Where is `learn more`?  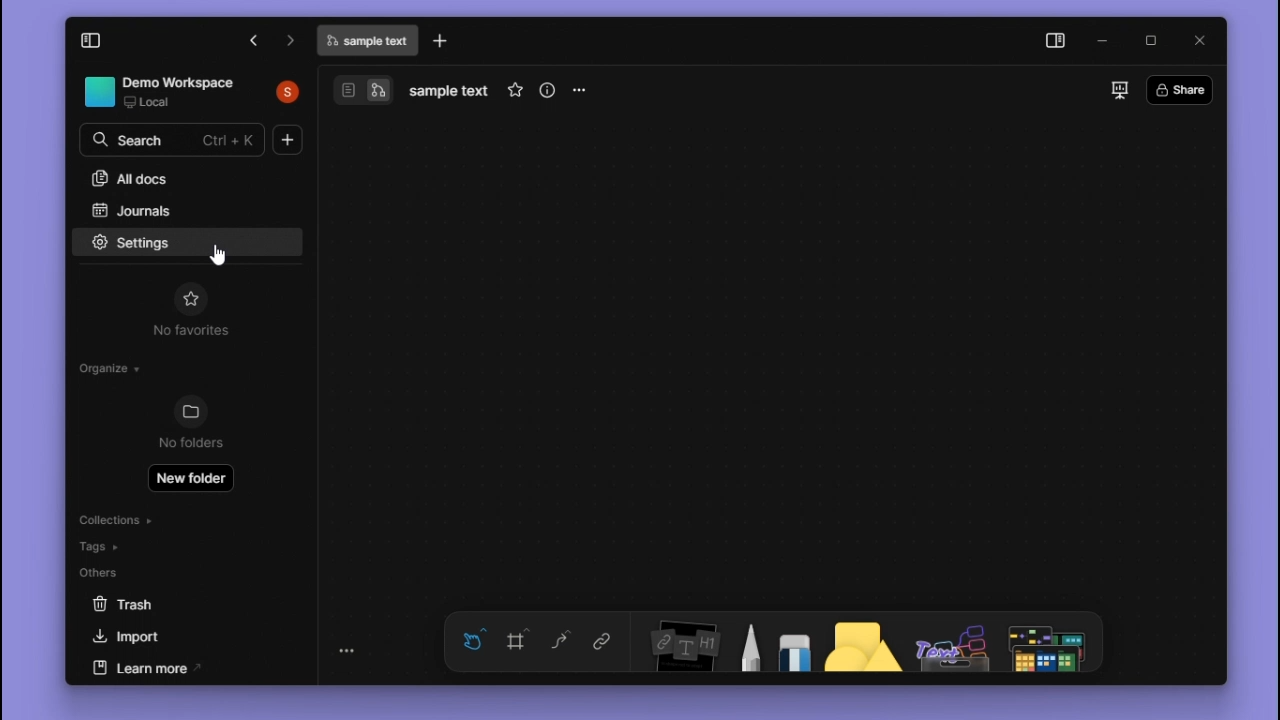 learn more is located at coordinates (176, 667).